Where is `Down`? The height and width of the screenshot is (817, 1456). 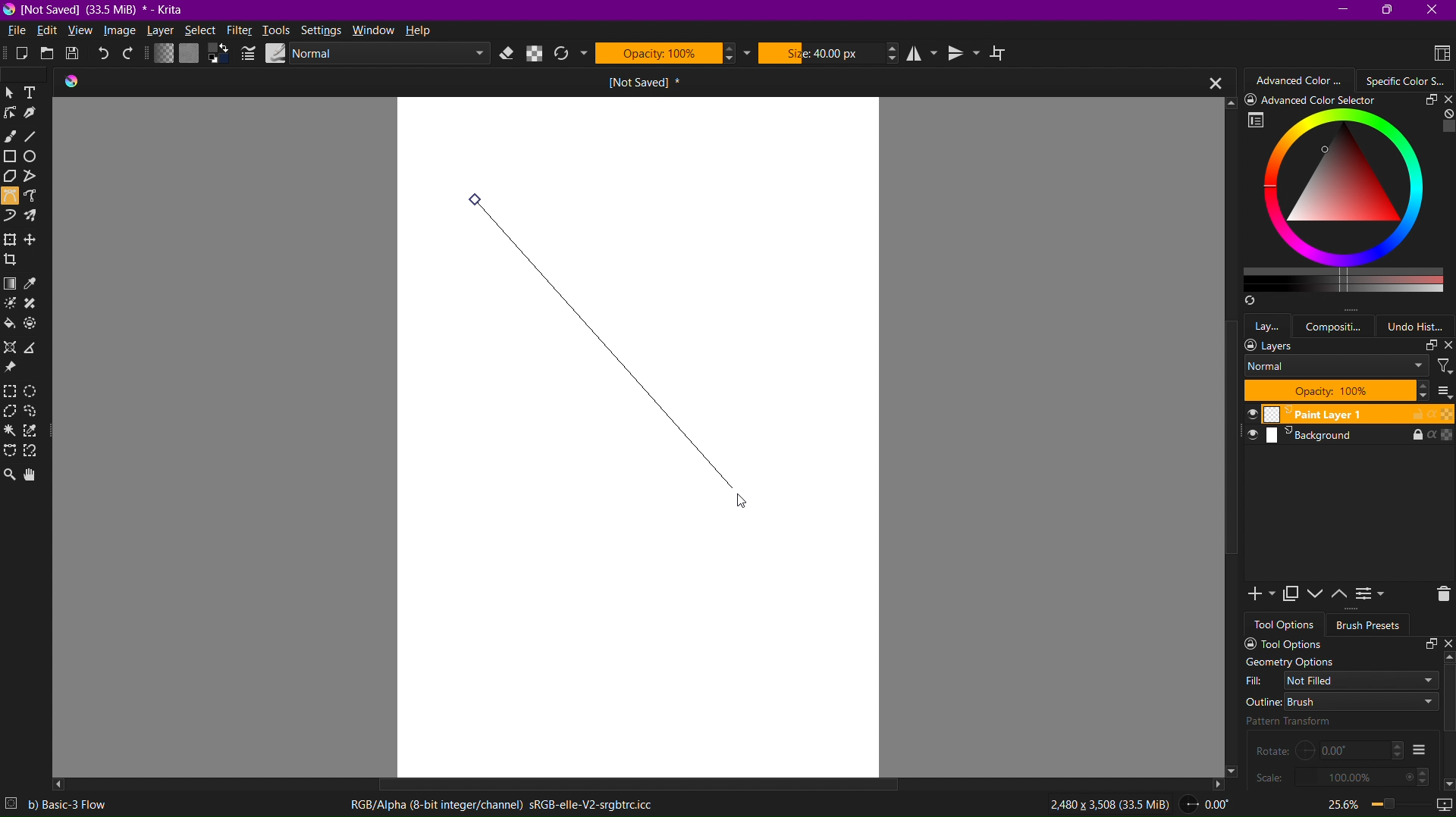
Down is located at coordinates (1235, 773).